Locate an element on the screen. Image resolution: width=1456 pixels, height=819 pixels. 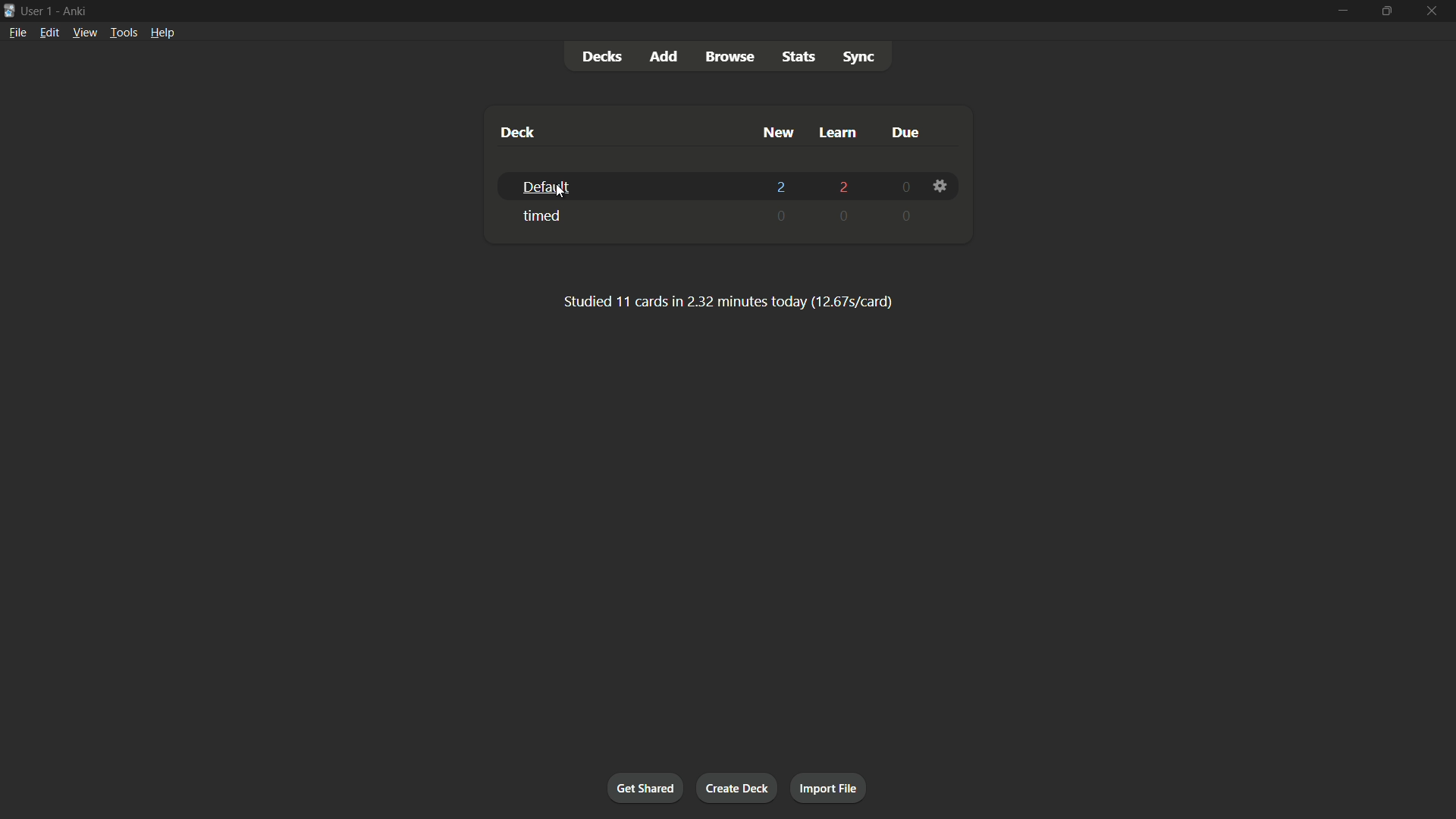
2 is located at coordinates (784, 187).